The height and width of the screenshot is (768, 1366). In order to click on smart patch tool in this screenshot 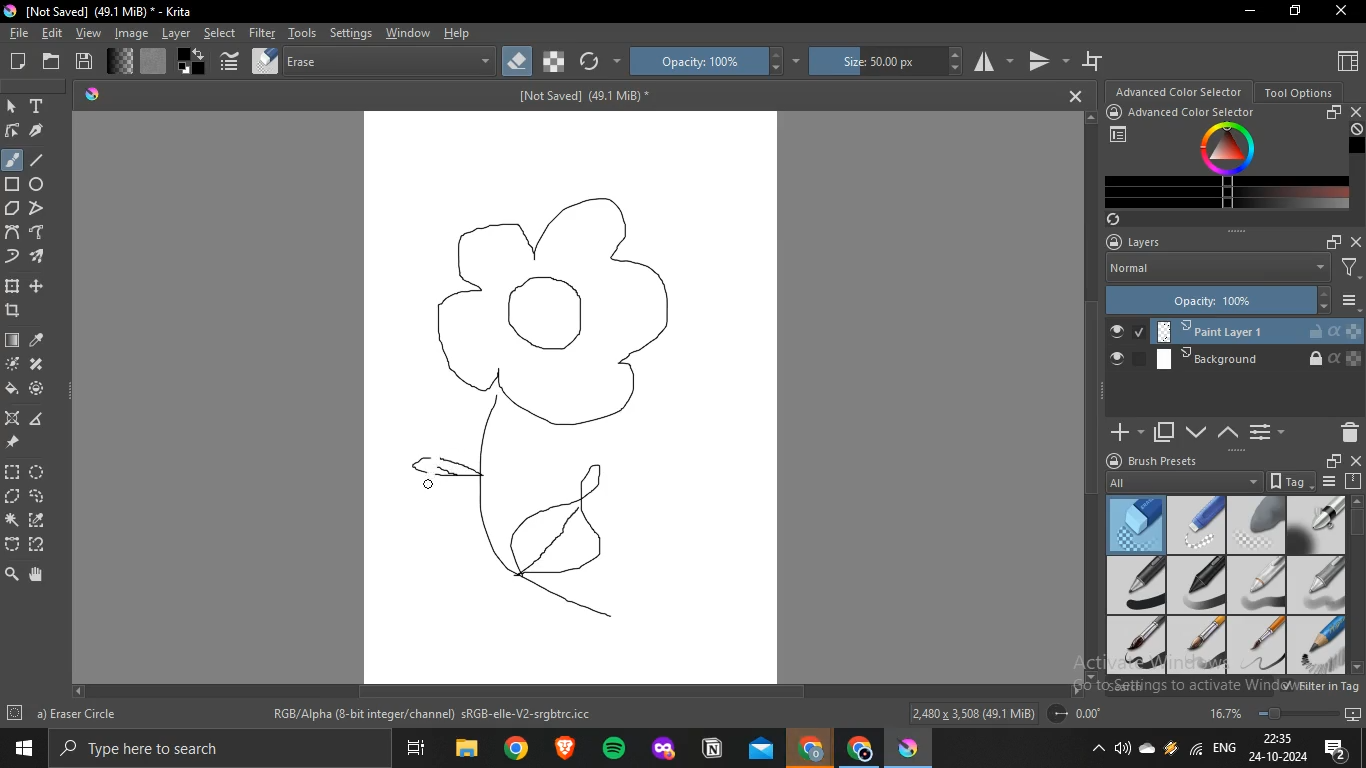, I will do `click(35, 363)`.